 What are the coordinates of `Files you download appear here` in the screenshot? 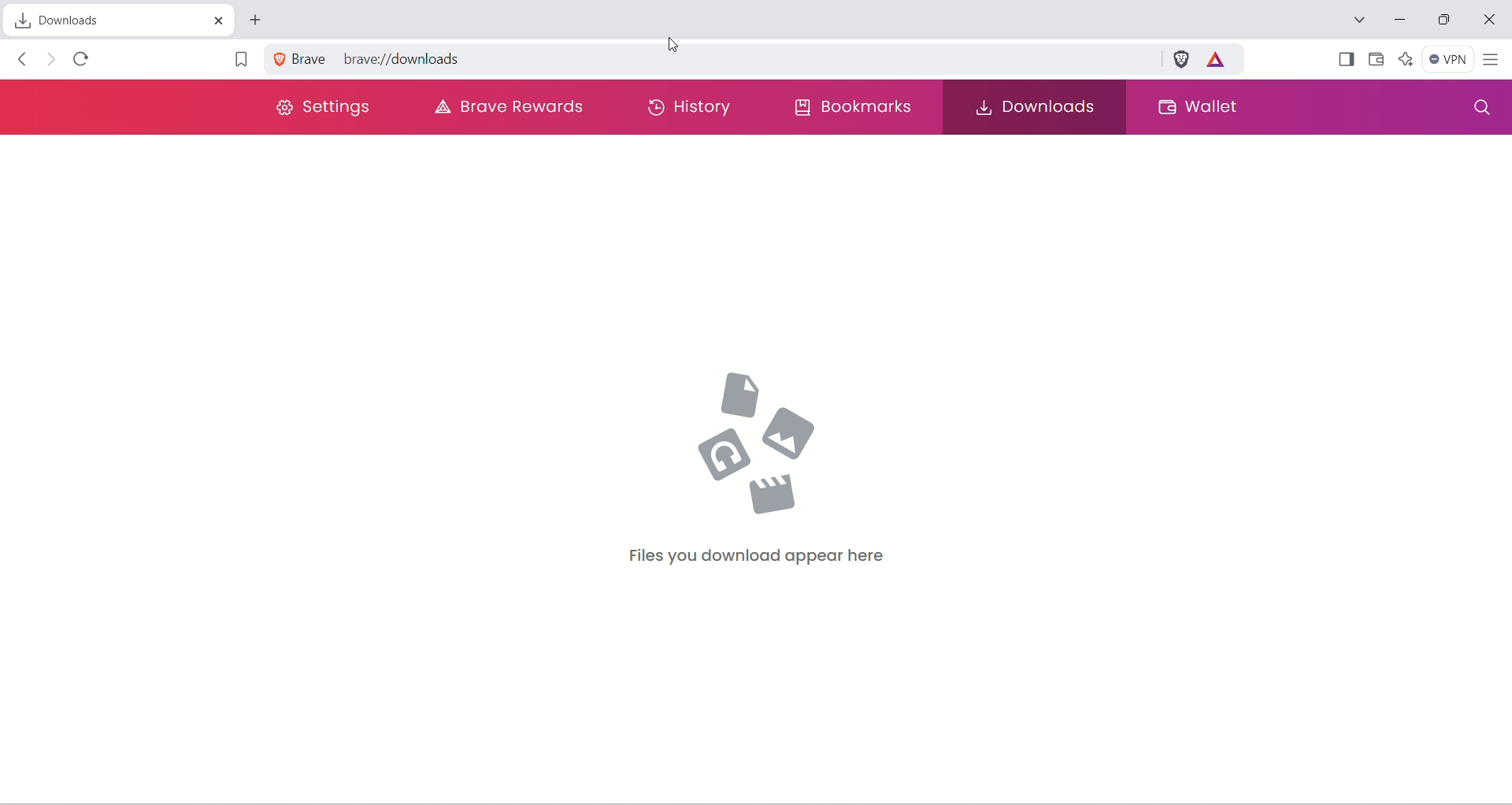 It's located at (776, 559).